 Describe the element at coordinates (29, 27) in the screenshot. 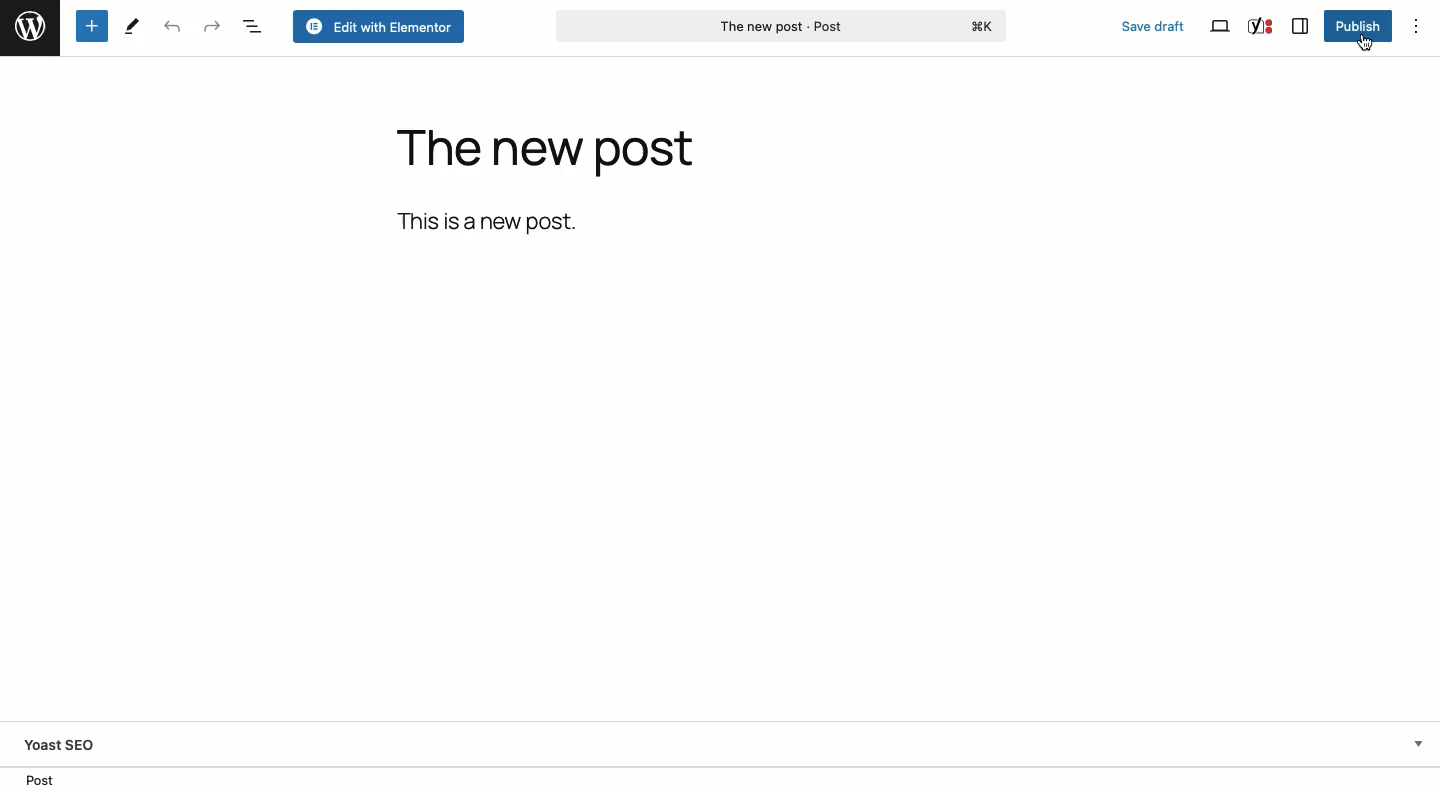

I see `Wordpress logo` at that location.